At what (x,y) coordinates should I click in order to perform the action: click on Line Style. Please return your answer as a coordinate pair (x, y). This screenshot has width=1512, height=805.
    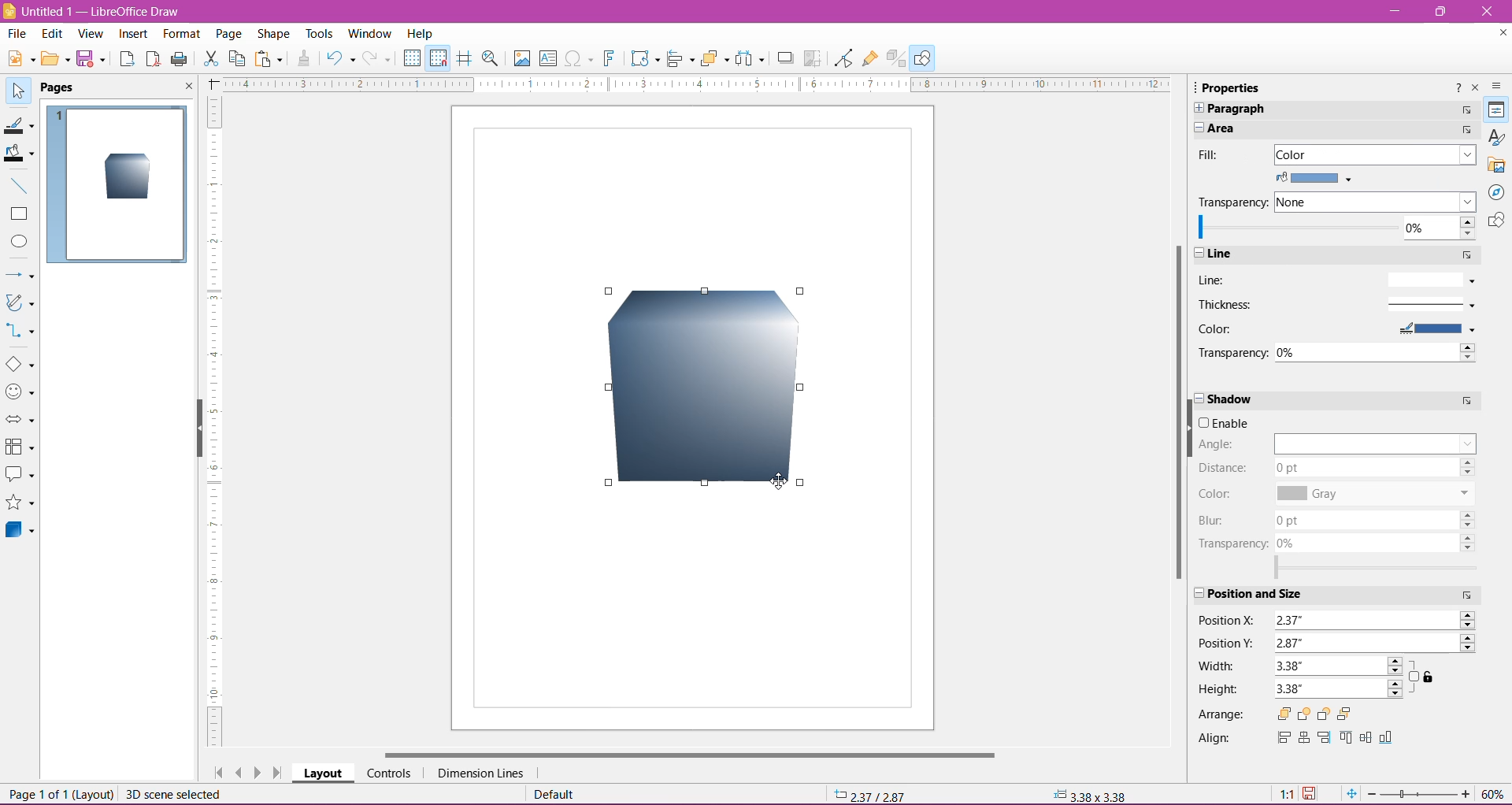
    Looking at the image, I should click on (1429, 280).